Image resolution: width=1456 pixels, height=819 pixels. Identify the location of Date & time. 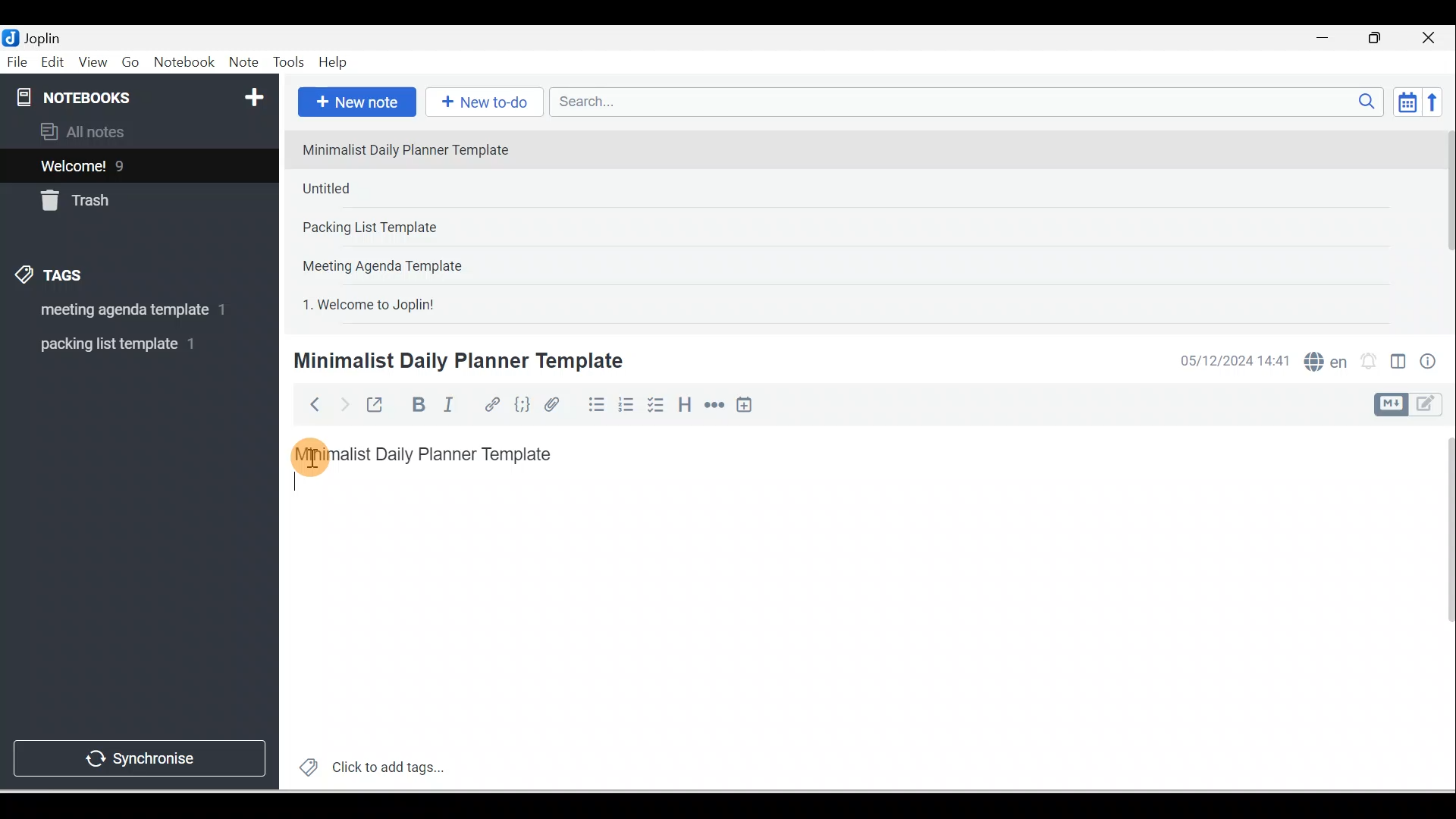
(1232, 361).